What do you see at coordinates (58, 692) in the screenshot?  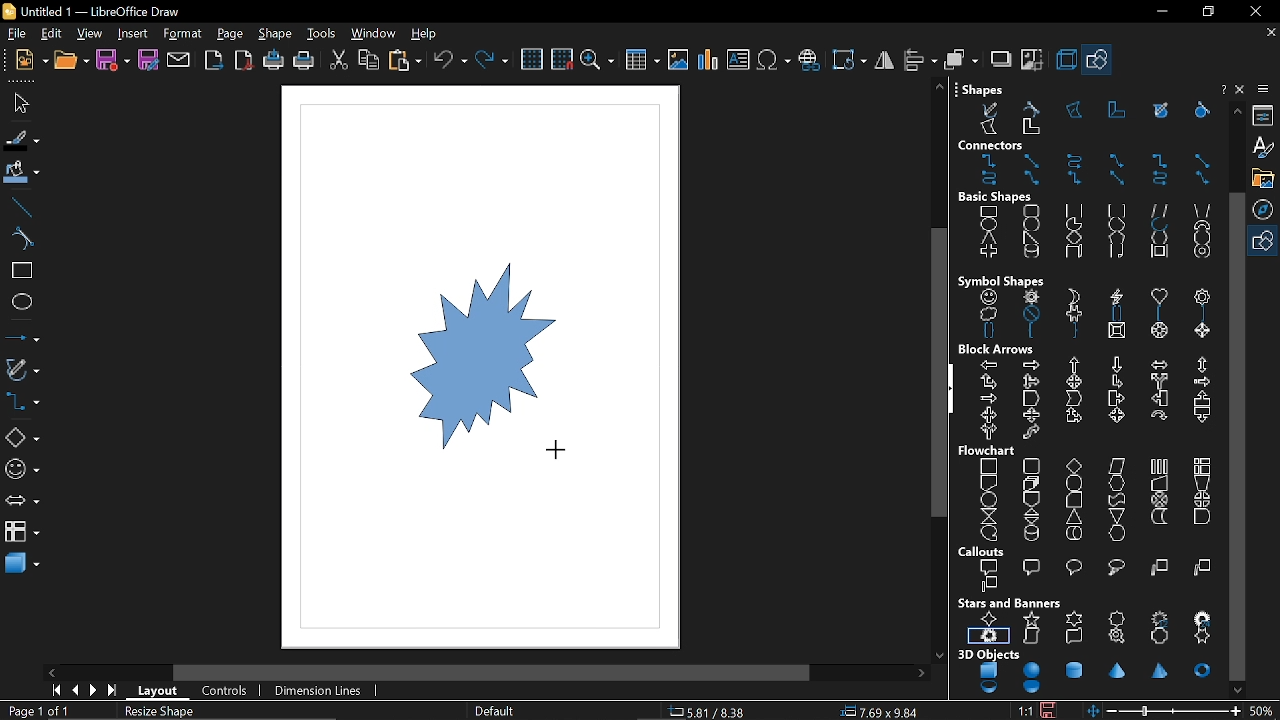 I see `go to first page` at bounding box center [58, 692].